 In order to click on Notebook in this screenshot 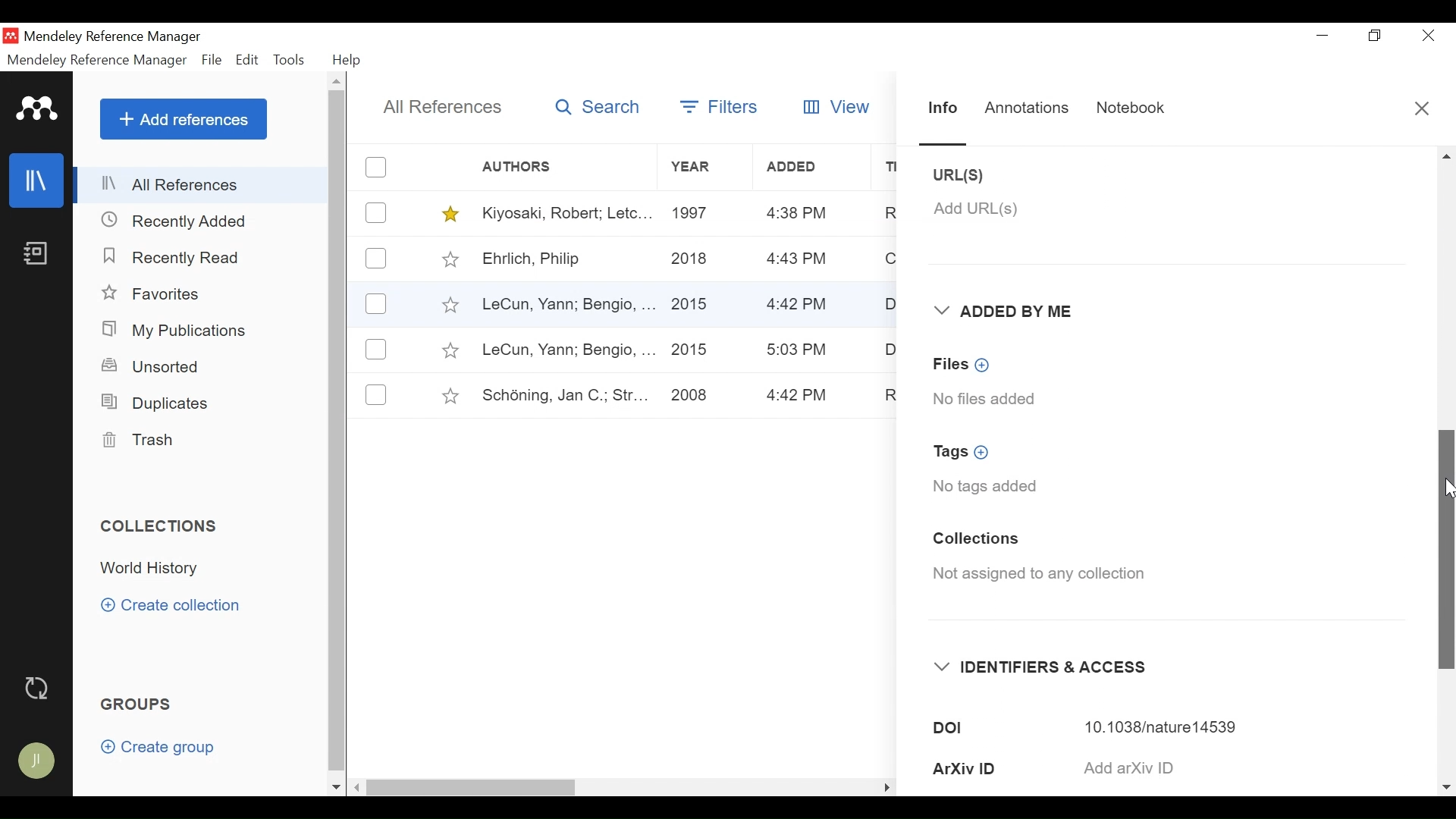, I will do `click(1125, 109)`.